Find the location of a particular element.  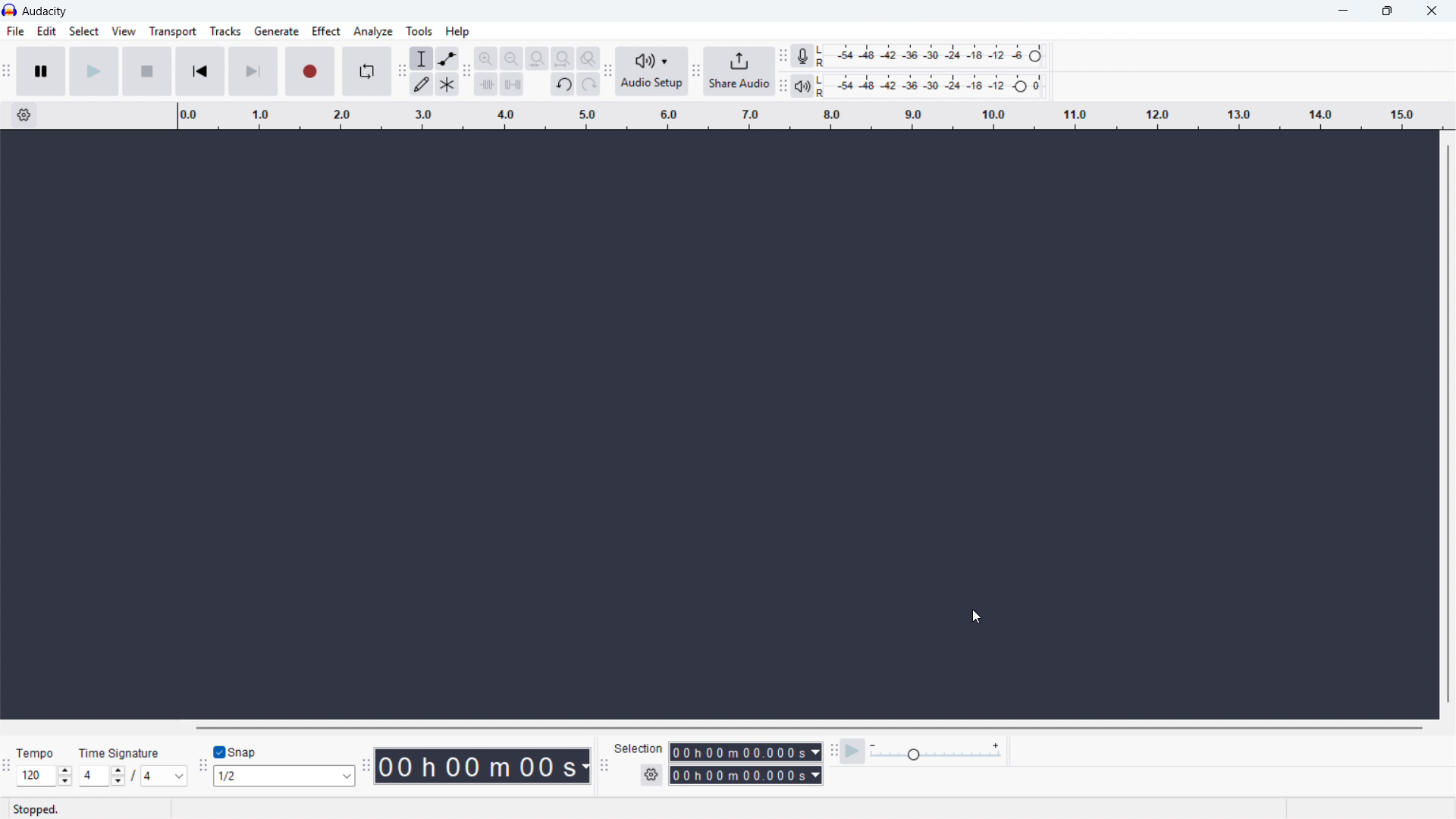

horizontal scrollbar is located at coordinates (807, 728).